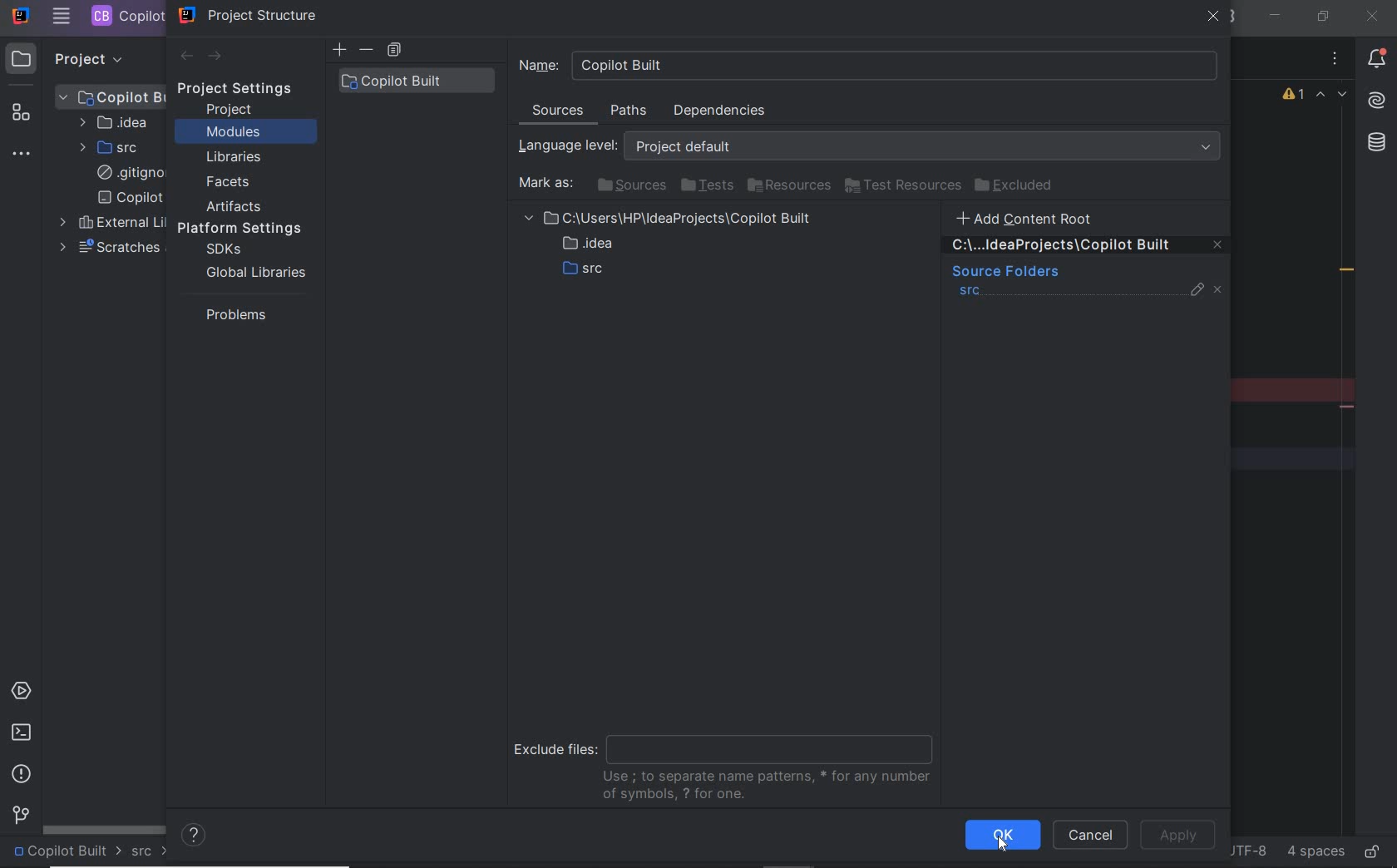 The image size is (1397, 868). Describe the element at coordinates (1198, 293) in the screenshot. I see `edit properties` at that location.